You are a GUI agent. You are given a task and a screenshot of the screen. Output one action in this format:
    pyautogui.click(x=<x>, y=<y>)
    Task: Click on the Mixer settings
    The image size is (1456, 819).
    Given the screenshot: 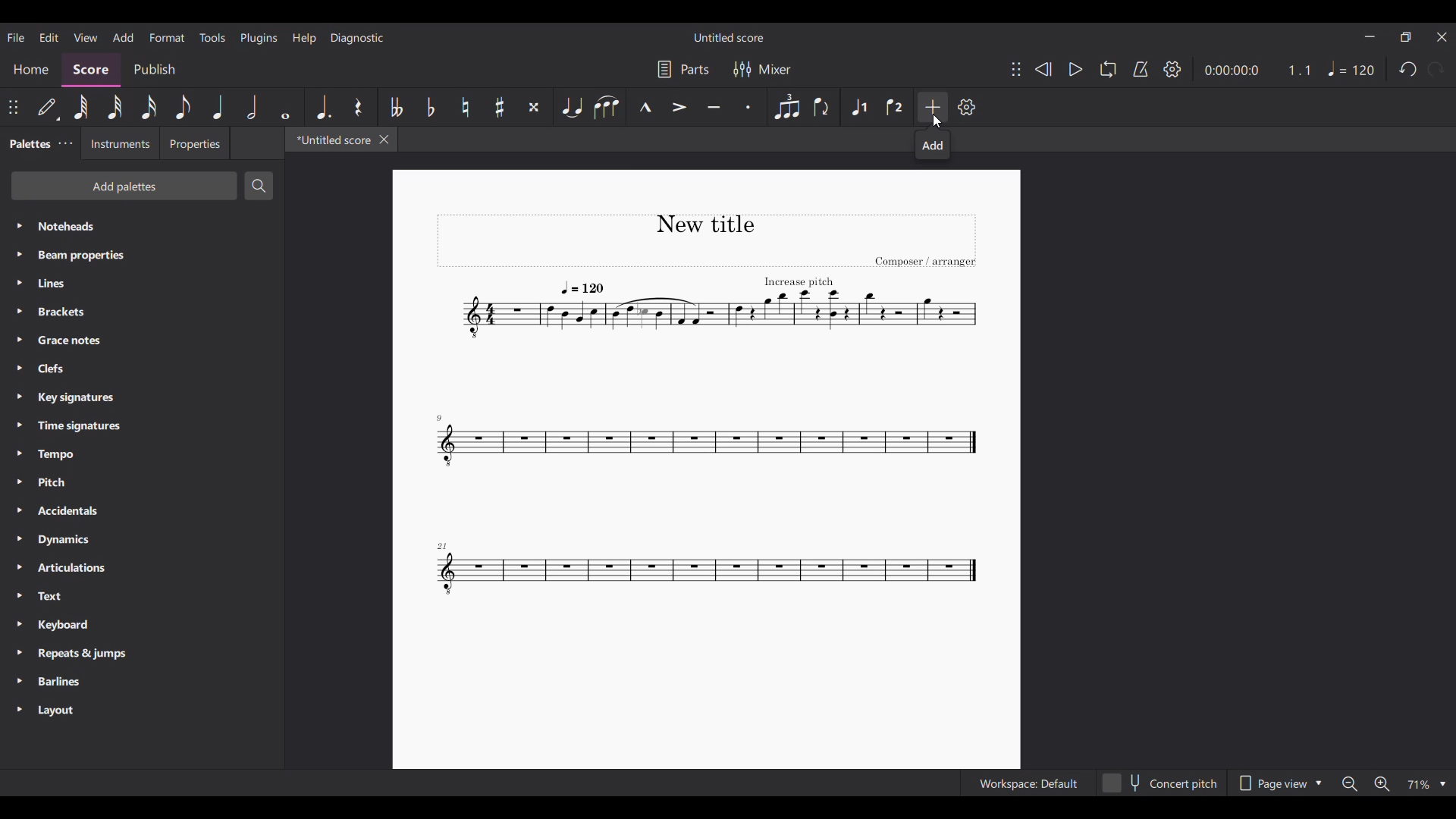 What is the action you would take?
    pyautogui.click(x=762, y=70)
    